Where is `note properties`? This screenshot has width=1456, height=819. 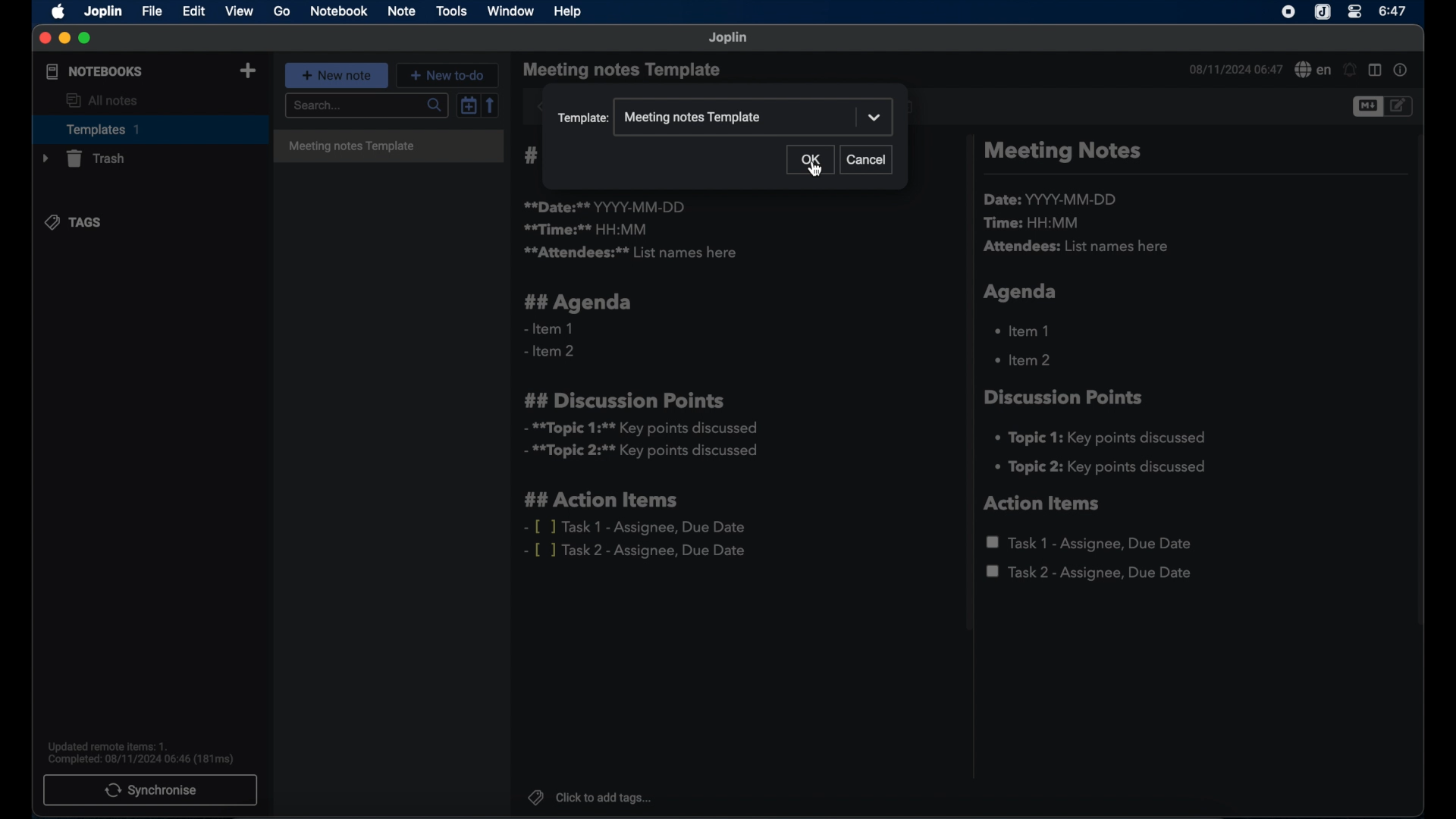
note properties is located at coordinates (1402, 71).